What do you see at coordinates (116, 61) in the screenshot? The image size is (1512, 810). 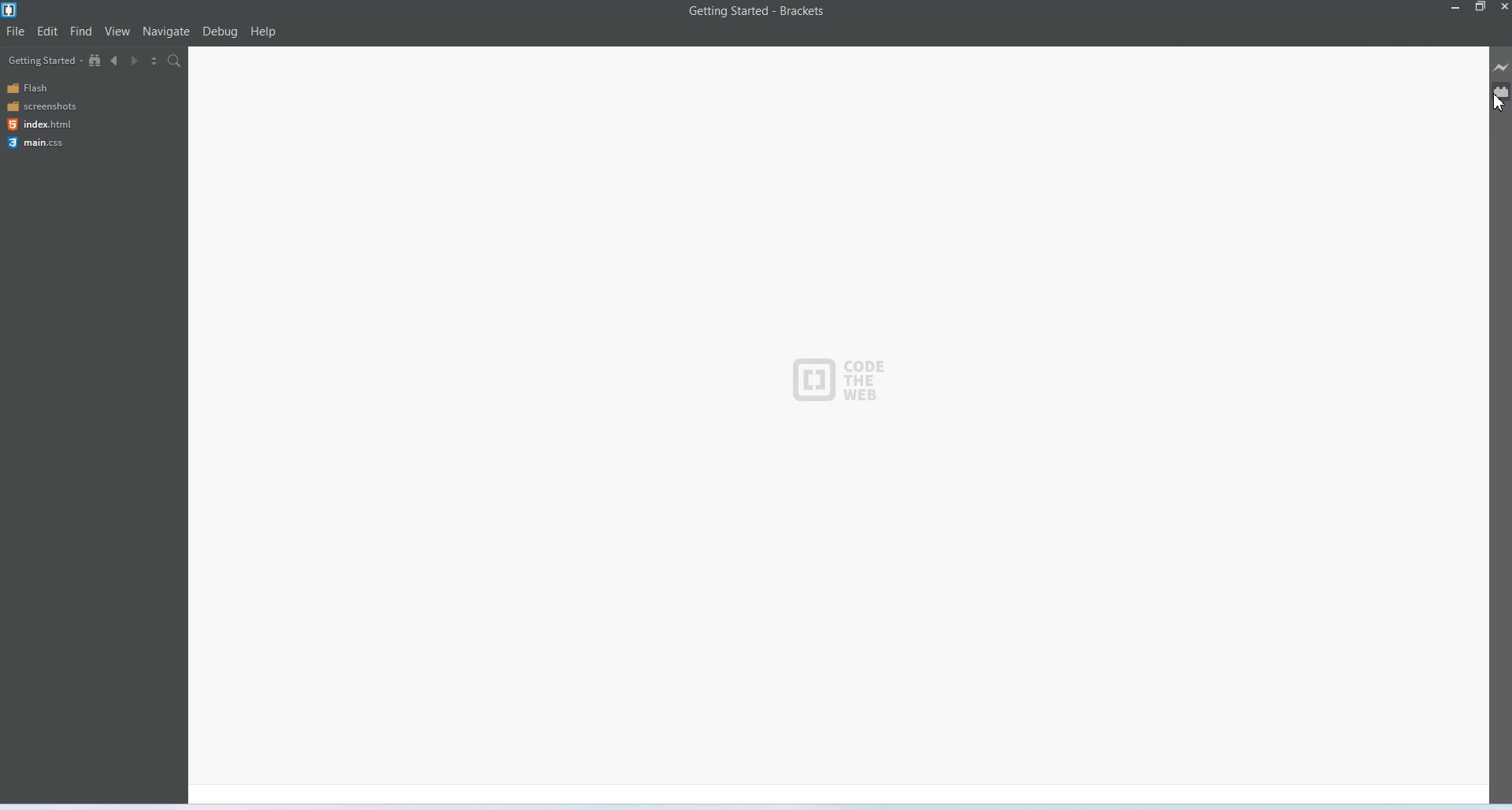 I see `Navigate Backwards` at bounding box center [116, 61].